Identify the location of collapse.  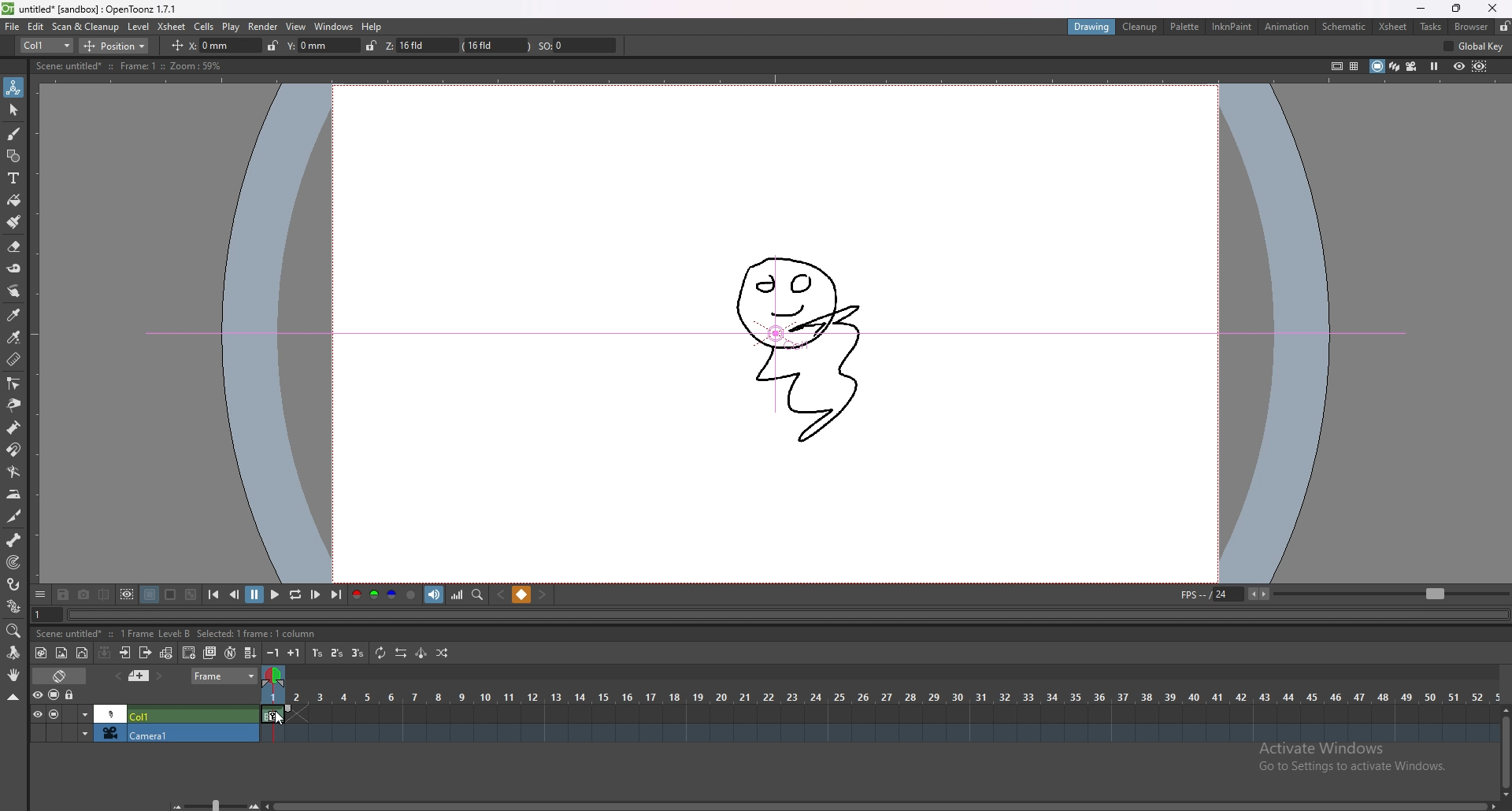
(13, 697).